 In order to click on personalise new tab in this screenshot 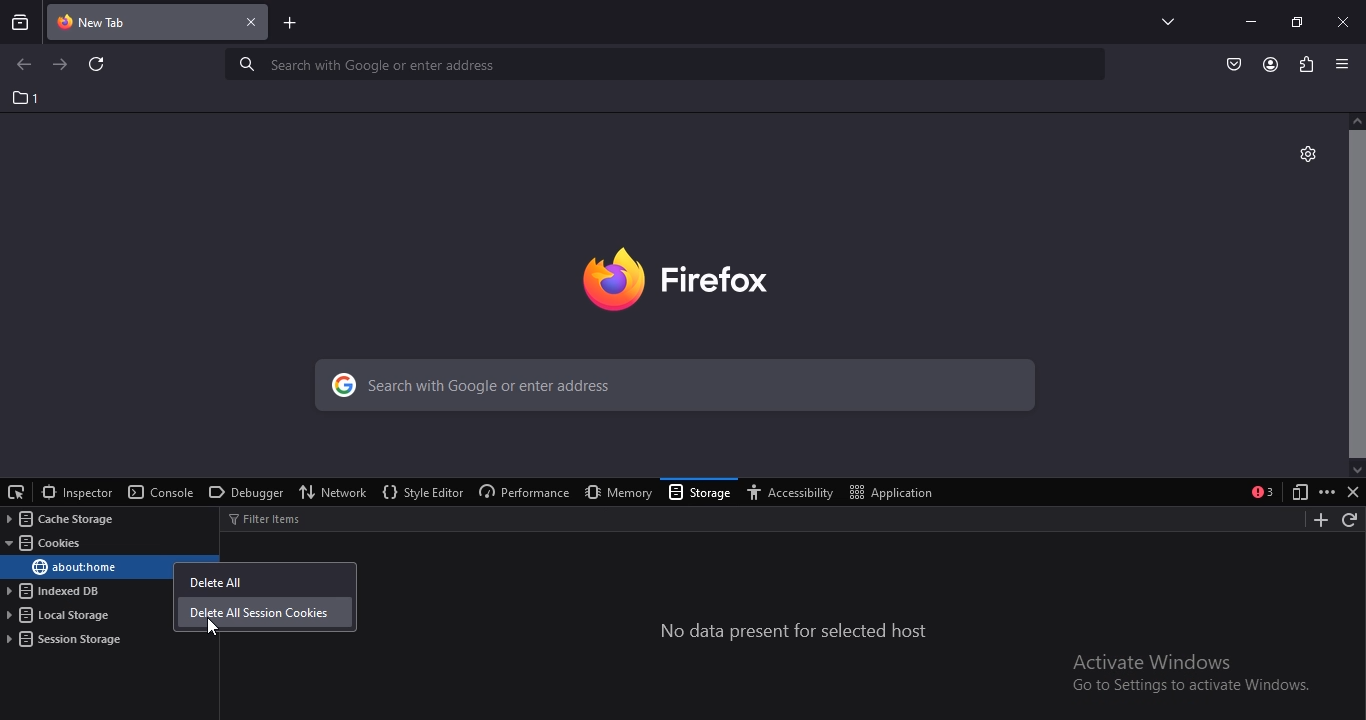, I will do `click(1307, 152)`.